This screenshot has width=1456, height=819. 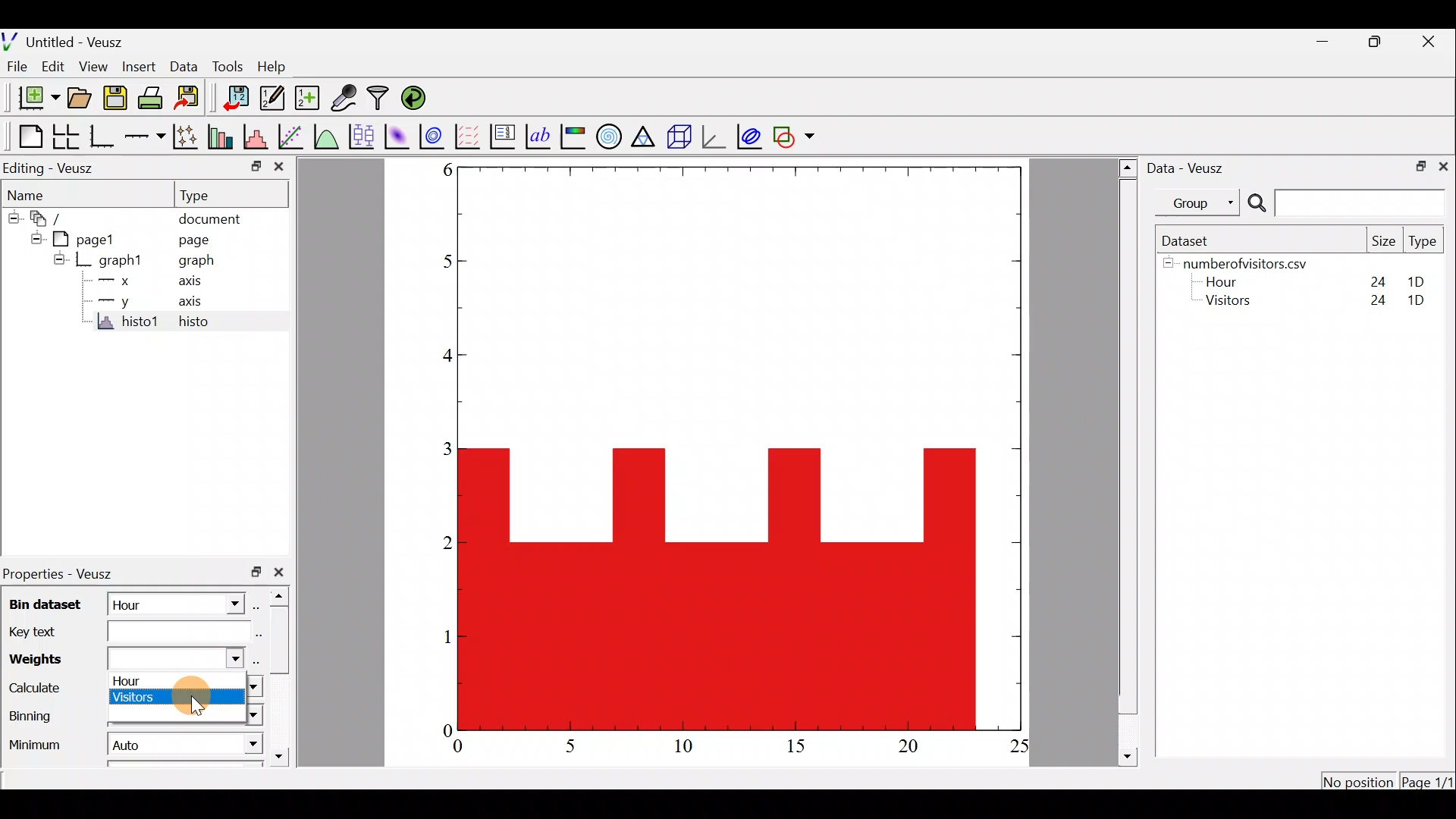 What do you see at coordinates (55, 262) in the screenshot?
I see `hide sub menu` at bounding box center [55, 262].